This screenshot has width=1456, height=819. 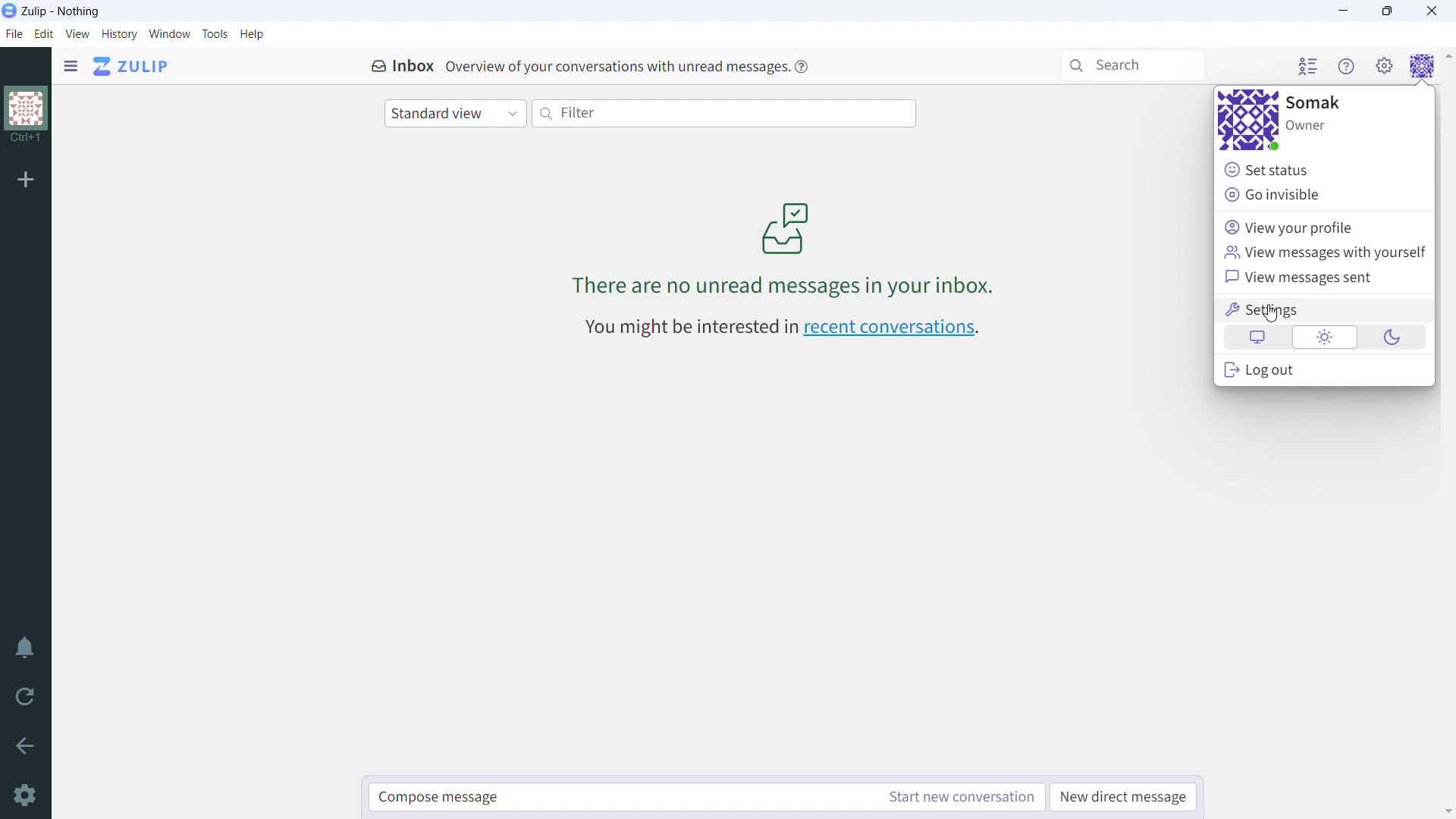 I want to click on profile name, so click(x=1315, y=102).